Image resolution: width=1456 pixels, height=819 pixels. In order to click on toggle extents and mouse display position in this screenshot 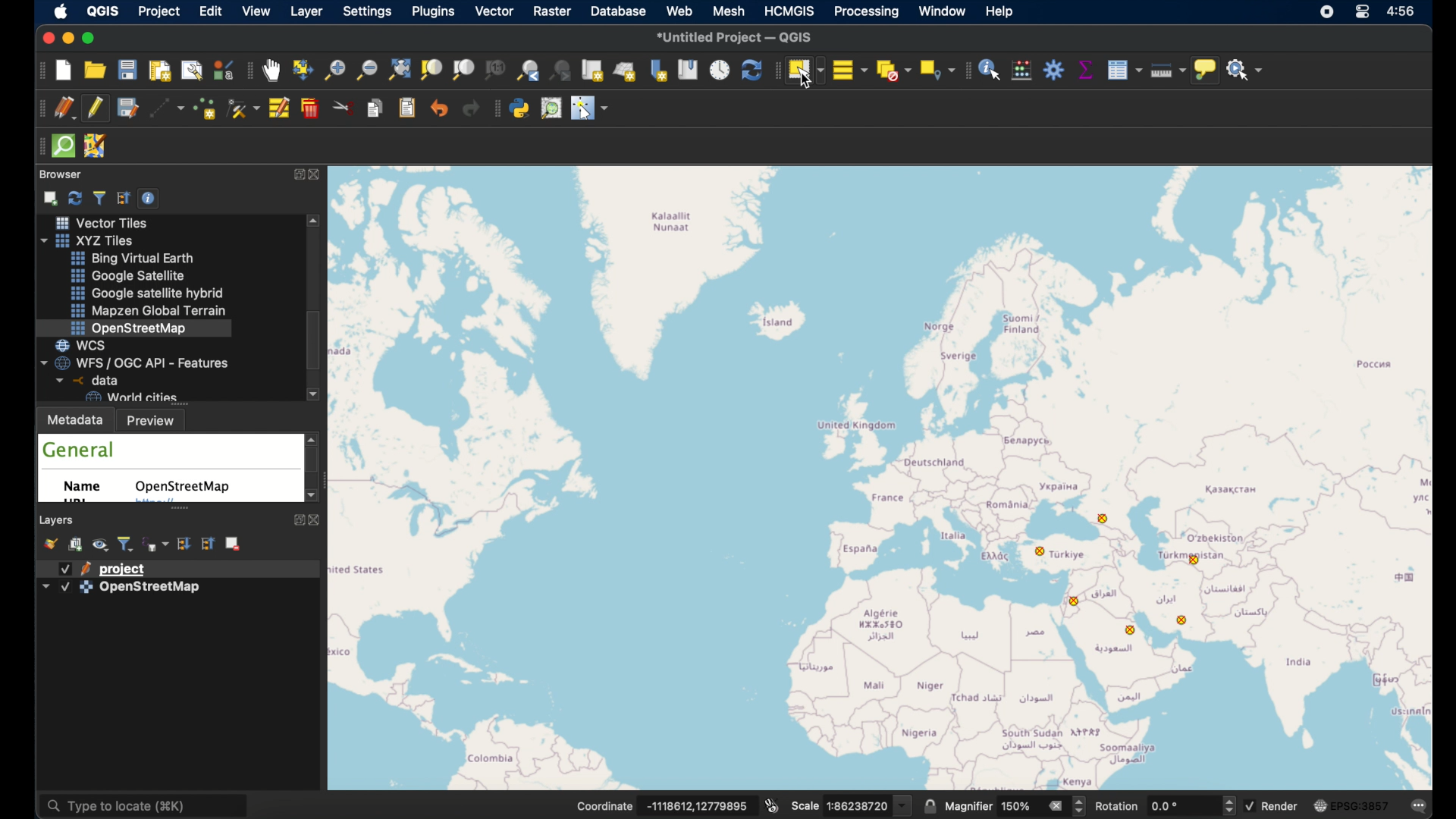, I will do `click(773, 804)`.